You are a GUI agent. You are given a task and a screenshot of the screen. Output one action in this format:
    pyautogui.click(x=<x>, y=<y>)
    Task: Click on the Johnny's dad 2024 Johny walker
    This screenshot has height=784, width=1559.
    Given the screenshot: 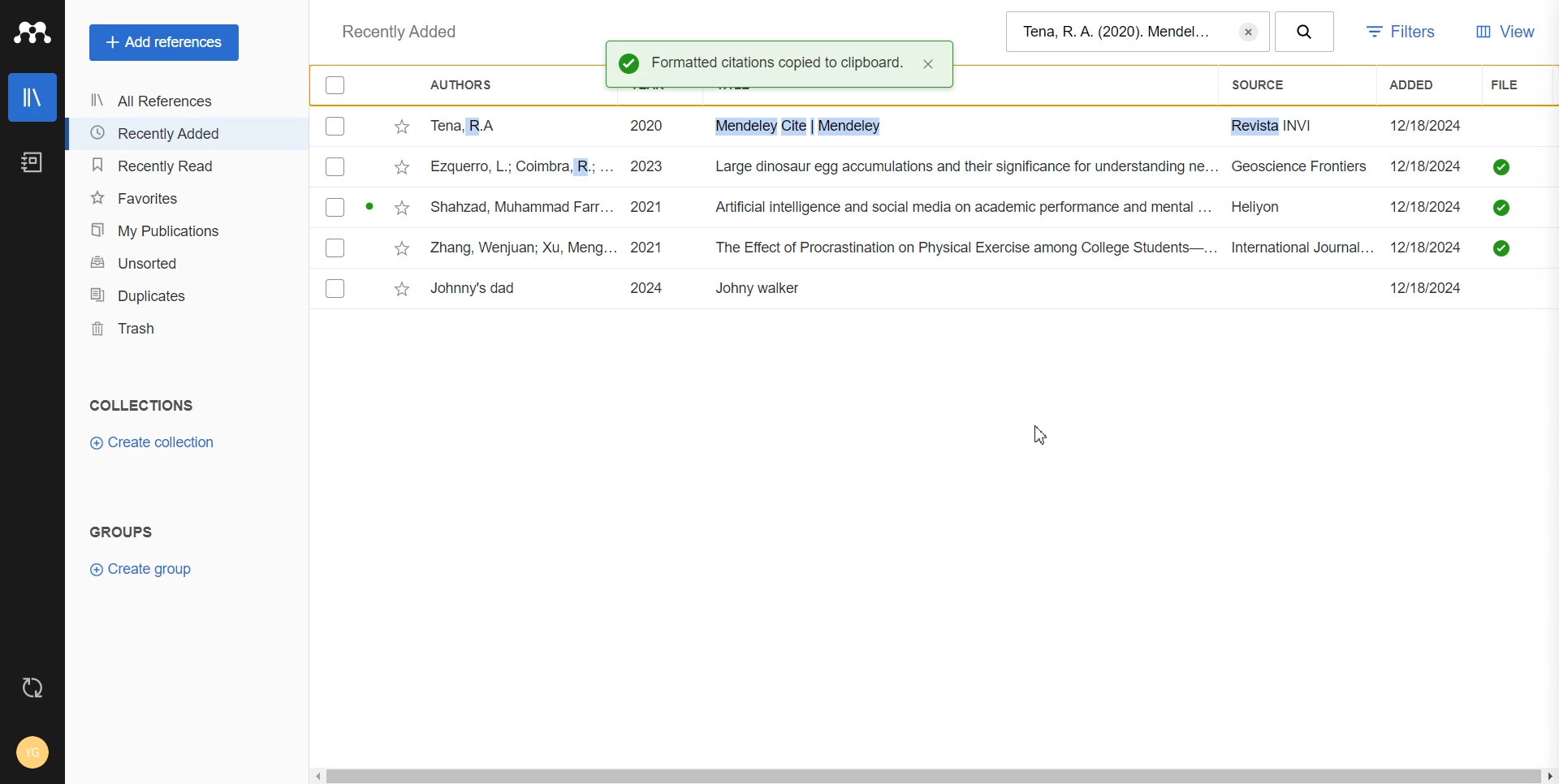 What is the action you would take?
    pyautogui.click(x=901, y=287)
    